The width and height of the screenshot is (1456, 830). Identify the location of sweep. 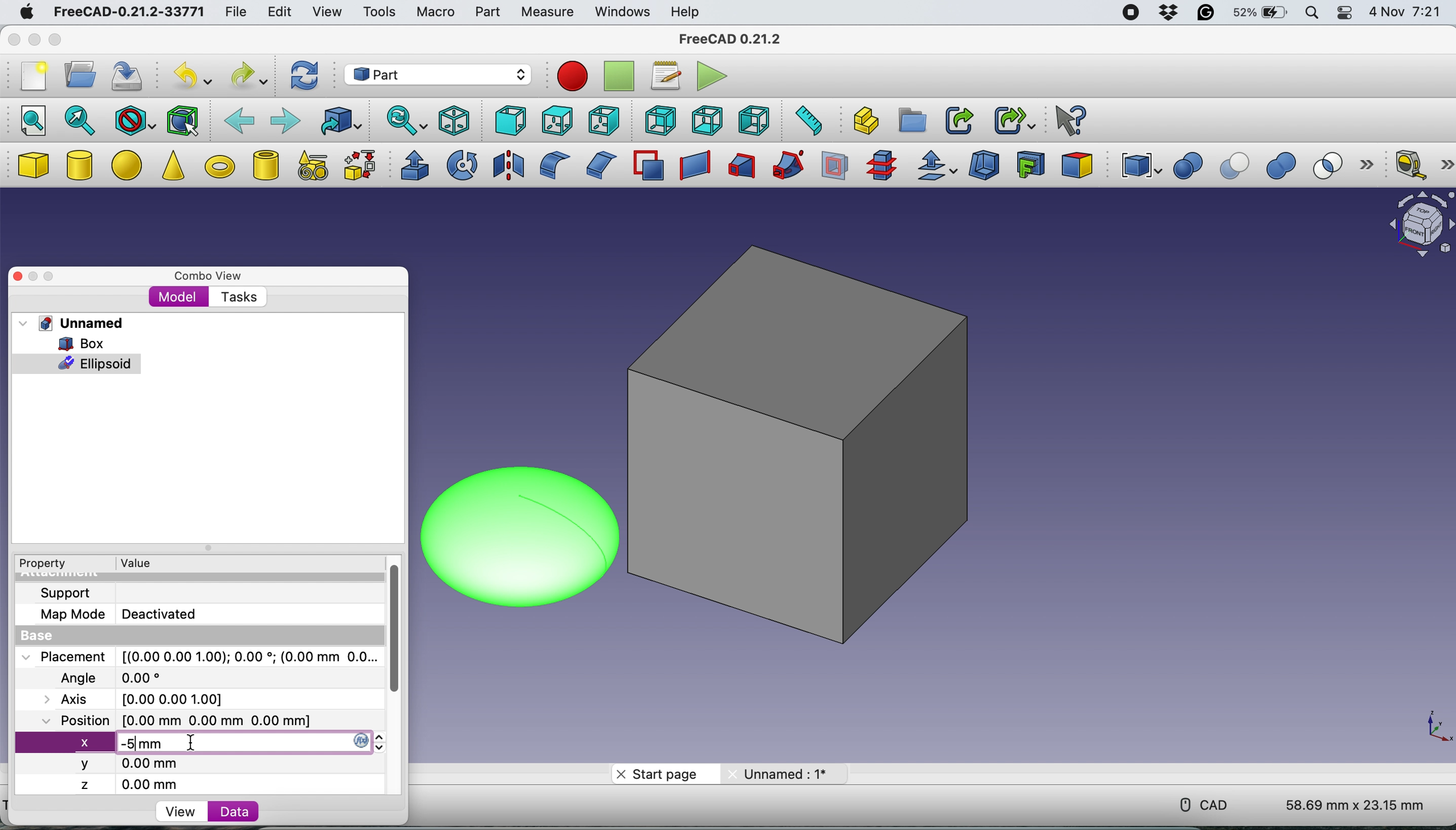
(784, 166).